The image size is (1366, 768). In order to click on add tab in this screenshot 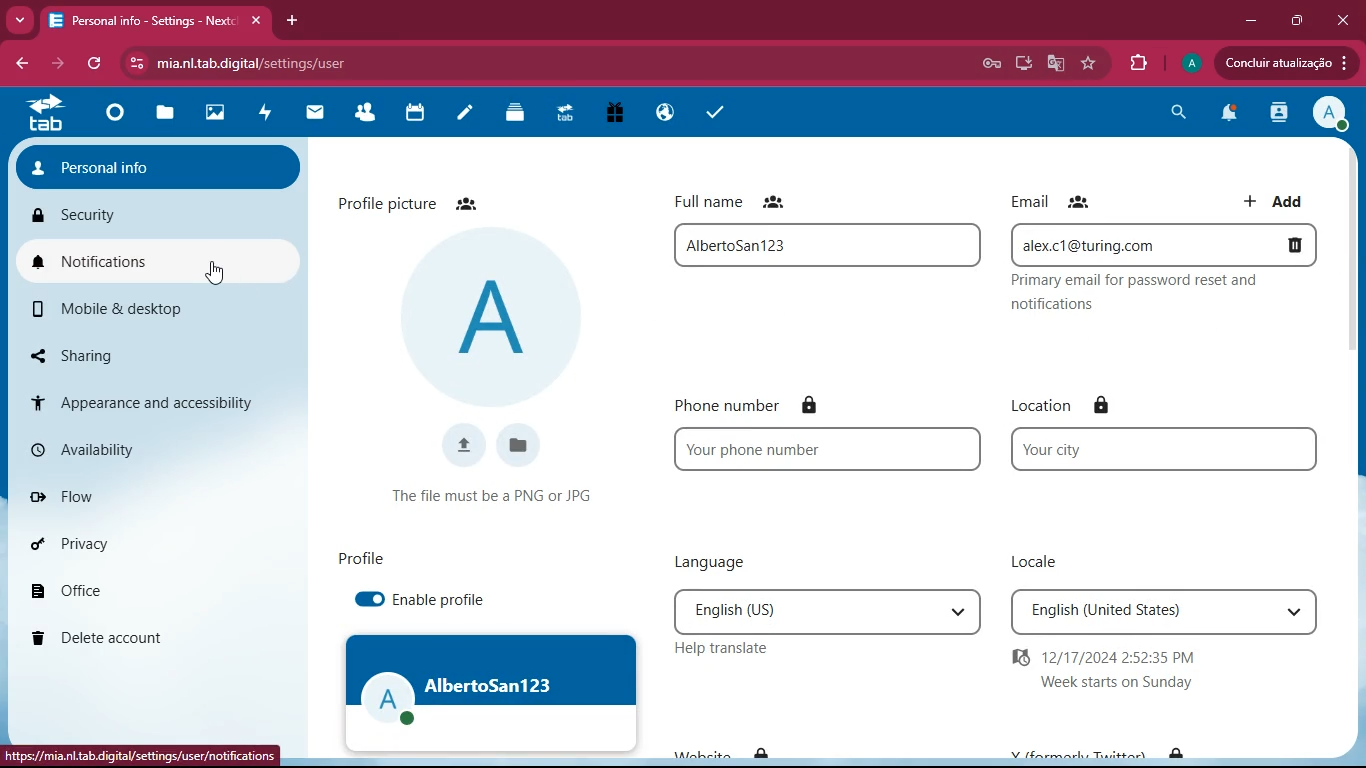, I will do `click(292, 20)`.